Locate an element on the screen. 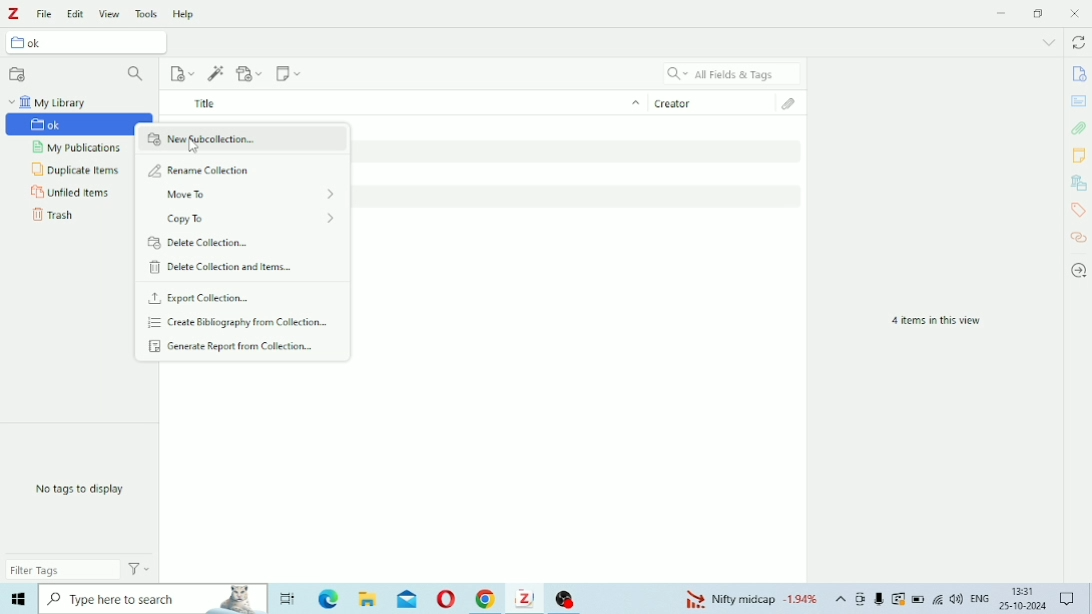 The width and height of the screenshot is (1092, 614). File is located at coordinates (45, 14).